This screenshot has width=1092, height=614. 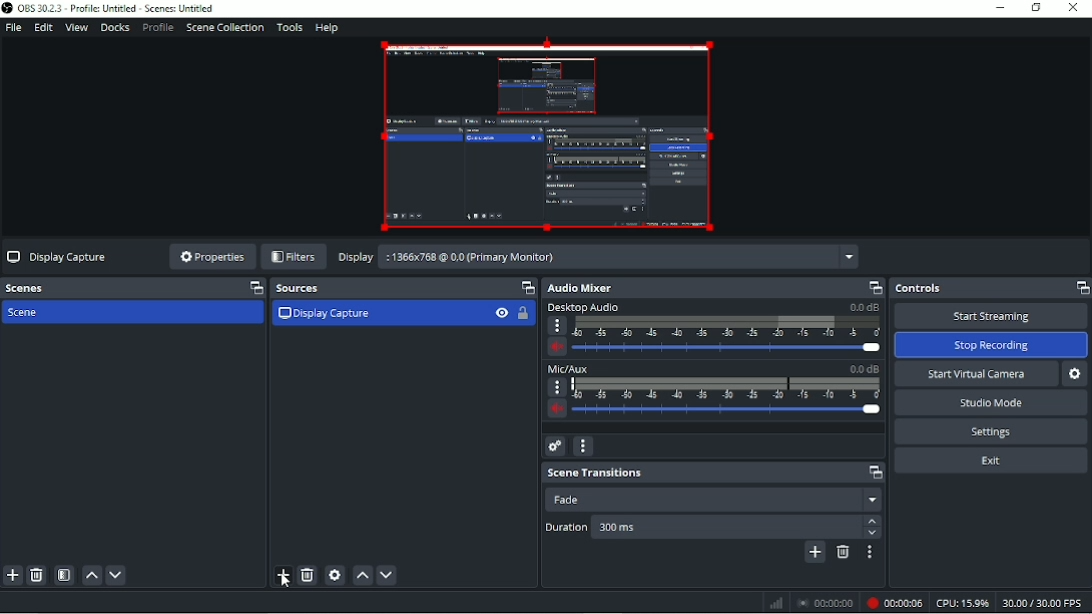 What do you see at coordinates (1045, 602) in the screenshot?
I see `30.00/30.00 FPS` at bounding box center [1045, 602].